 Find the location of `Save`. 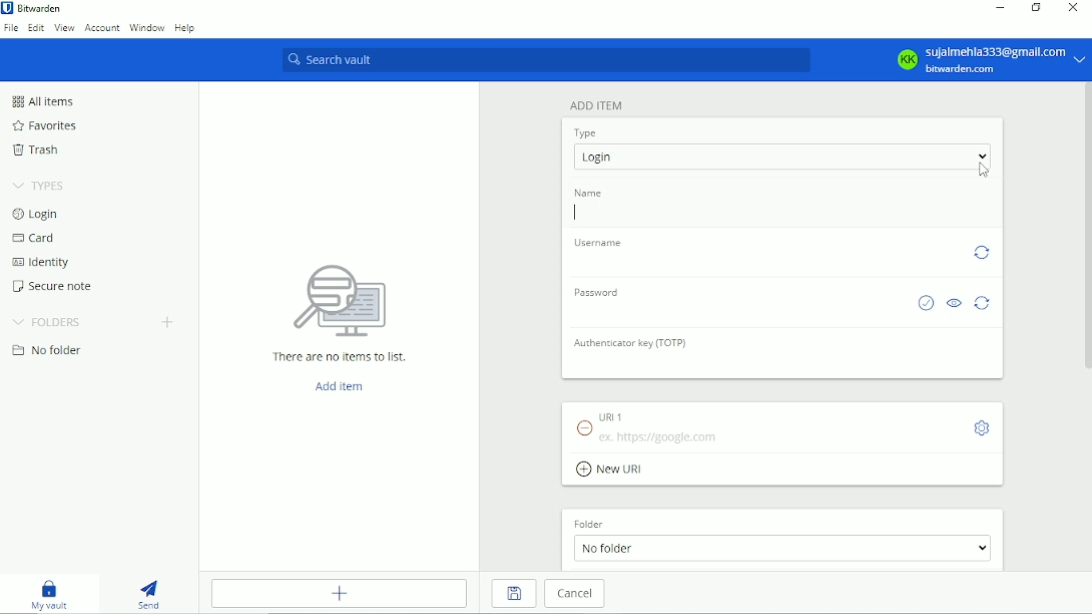

Save is located at coordinates (513, 594).